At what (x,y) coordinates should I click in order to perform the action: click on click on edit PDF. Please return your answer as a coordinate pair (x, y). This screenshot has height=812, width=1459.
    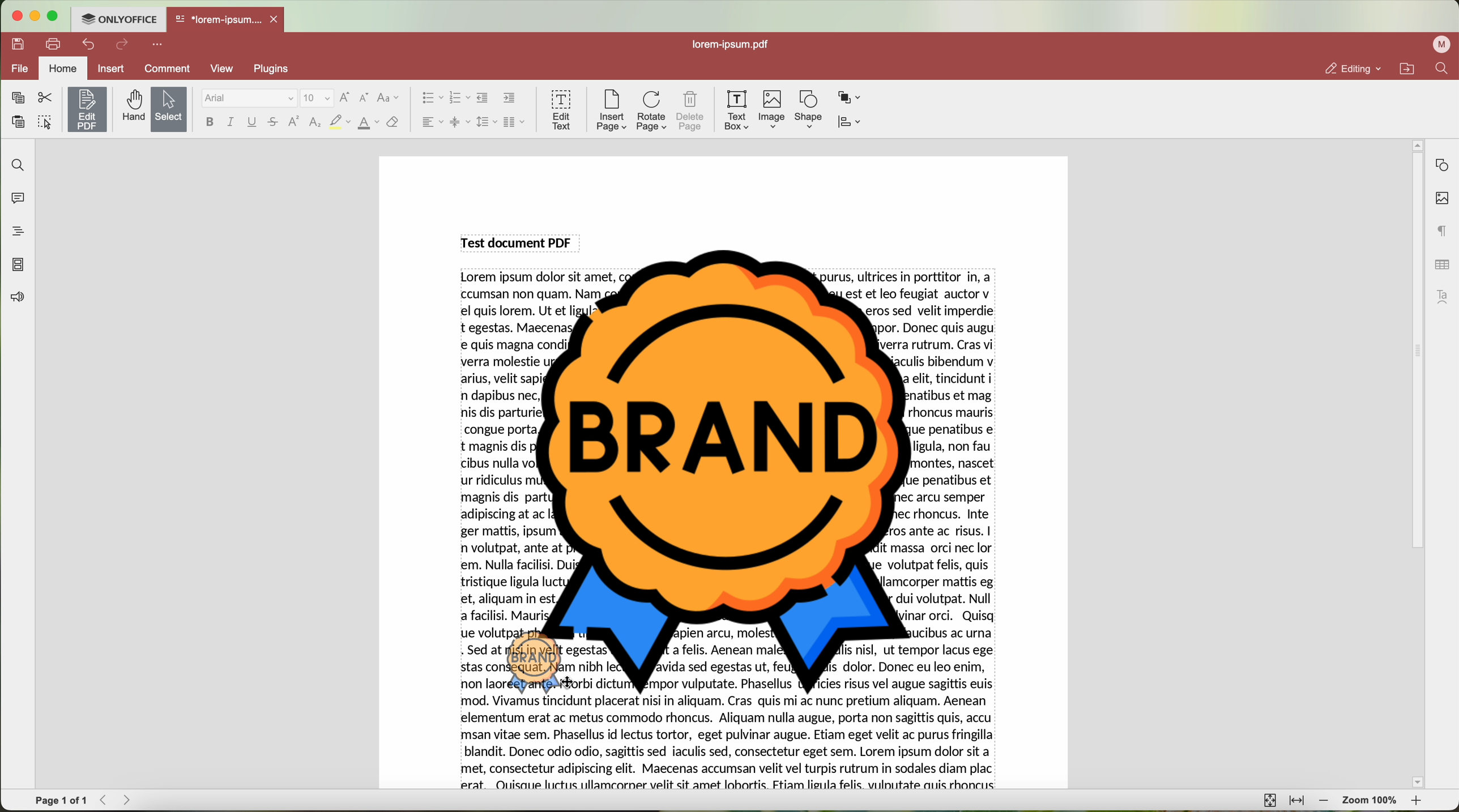
    Looking at the image, I should click on (88, 111).